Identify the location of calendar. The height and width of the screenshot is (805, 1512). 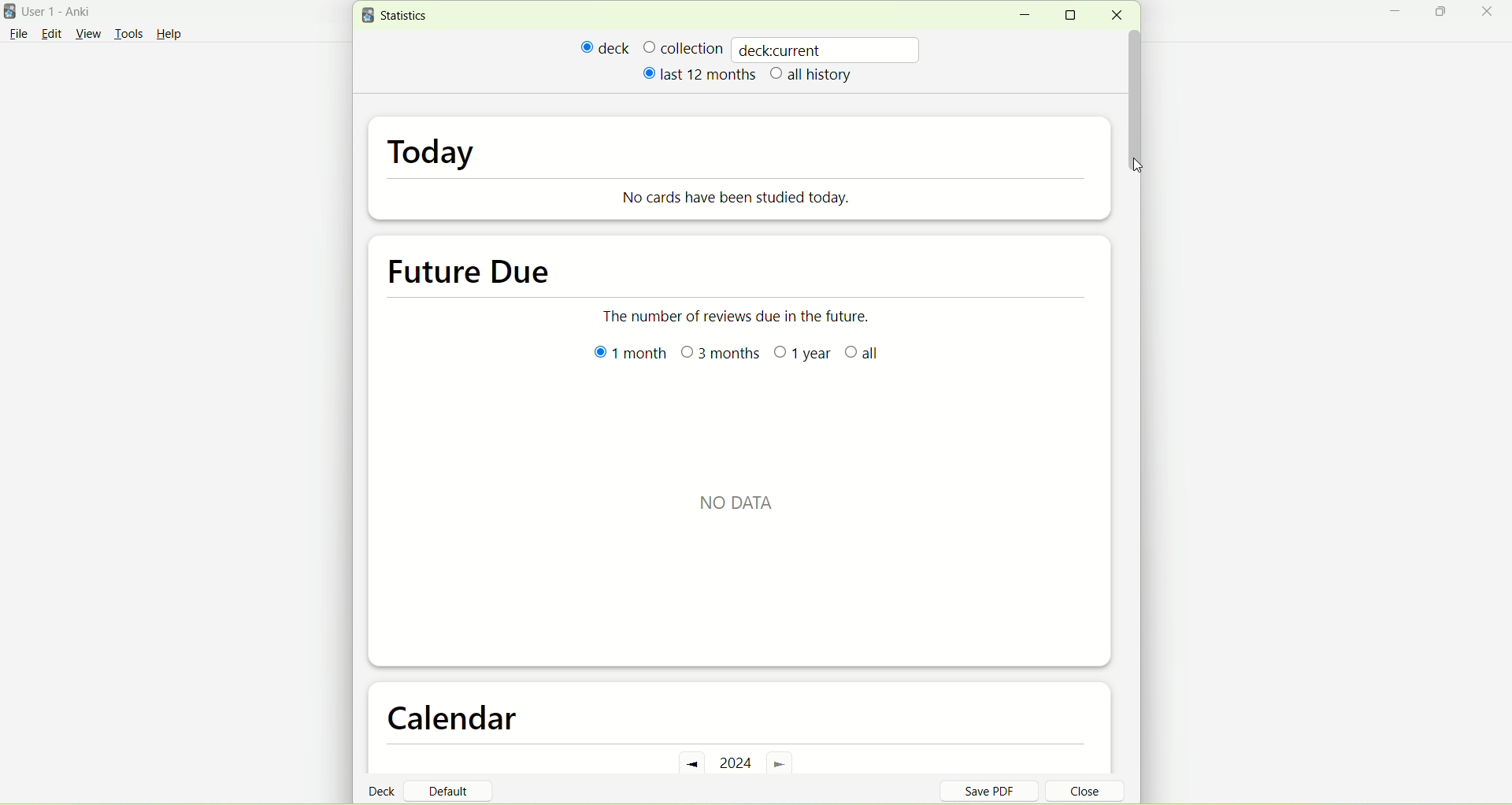
(462, 720).